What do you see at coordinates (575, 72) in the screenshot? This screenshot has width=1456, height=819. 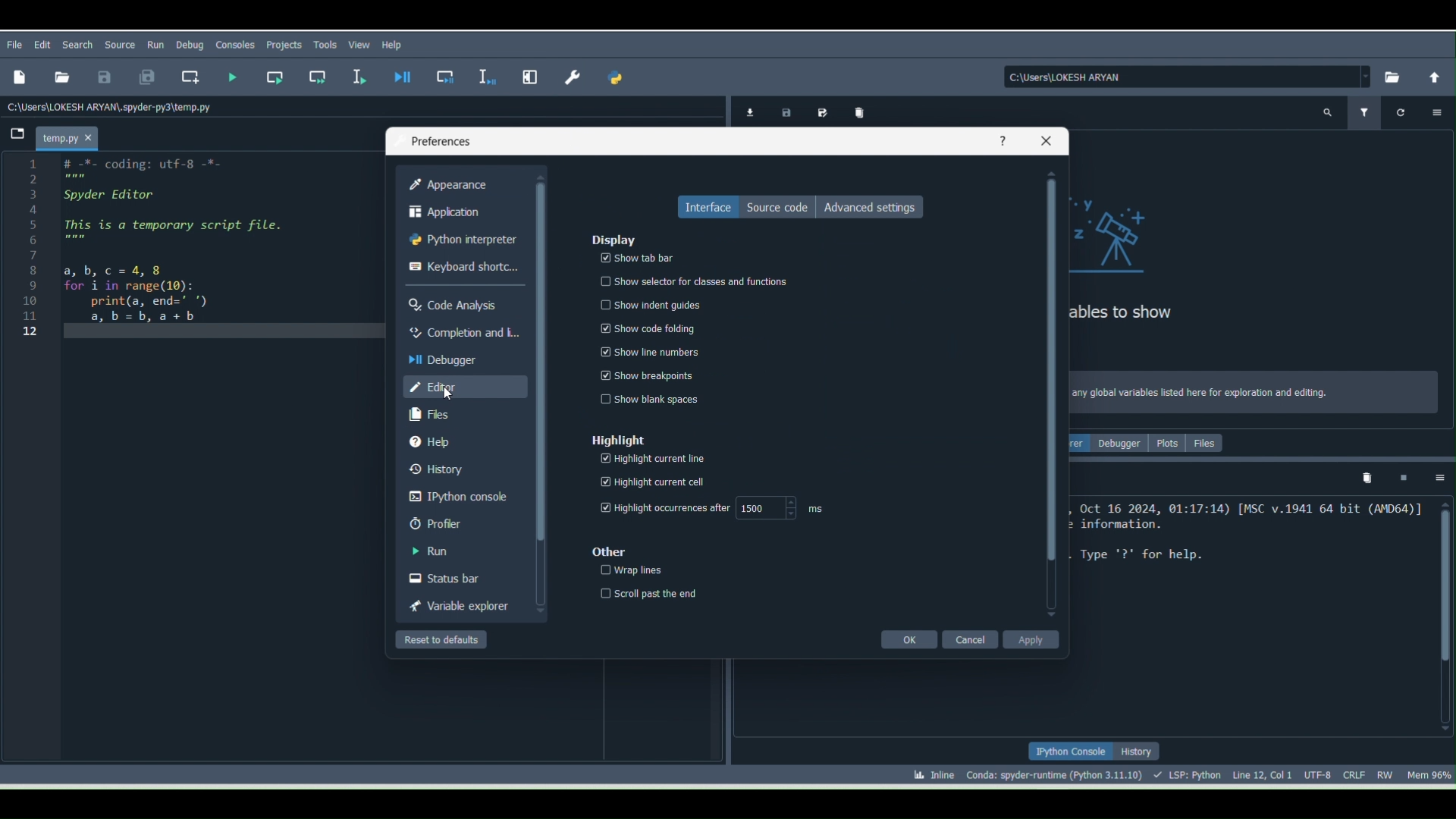 I see `Preferences` at bounding box center [575, 72].